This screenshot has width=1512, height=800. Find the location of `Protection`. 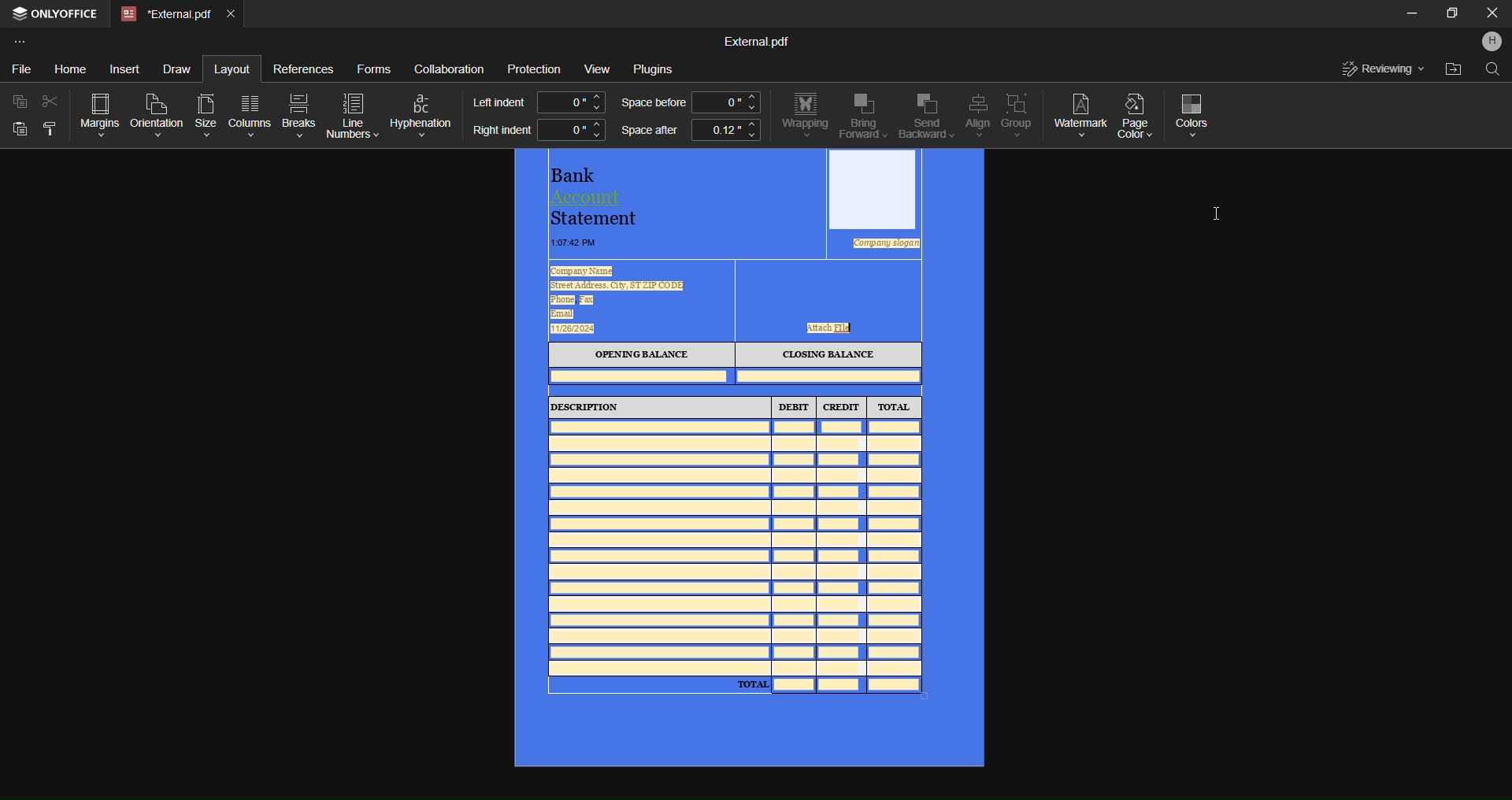

Protection is located at coordinates (535, 69).